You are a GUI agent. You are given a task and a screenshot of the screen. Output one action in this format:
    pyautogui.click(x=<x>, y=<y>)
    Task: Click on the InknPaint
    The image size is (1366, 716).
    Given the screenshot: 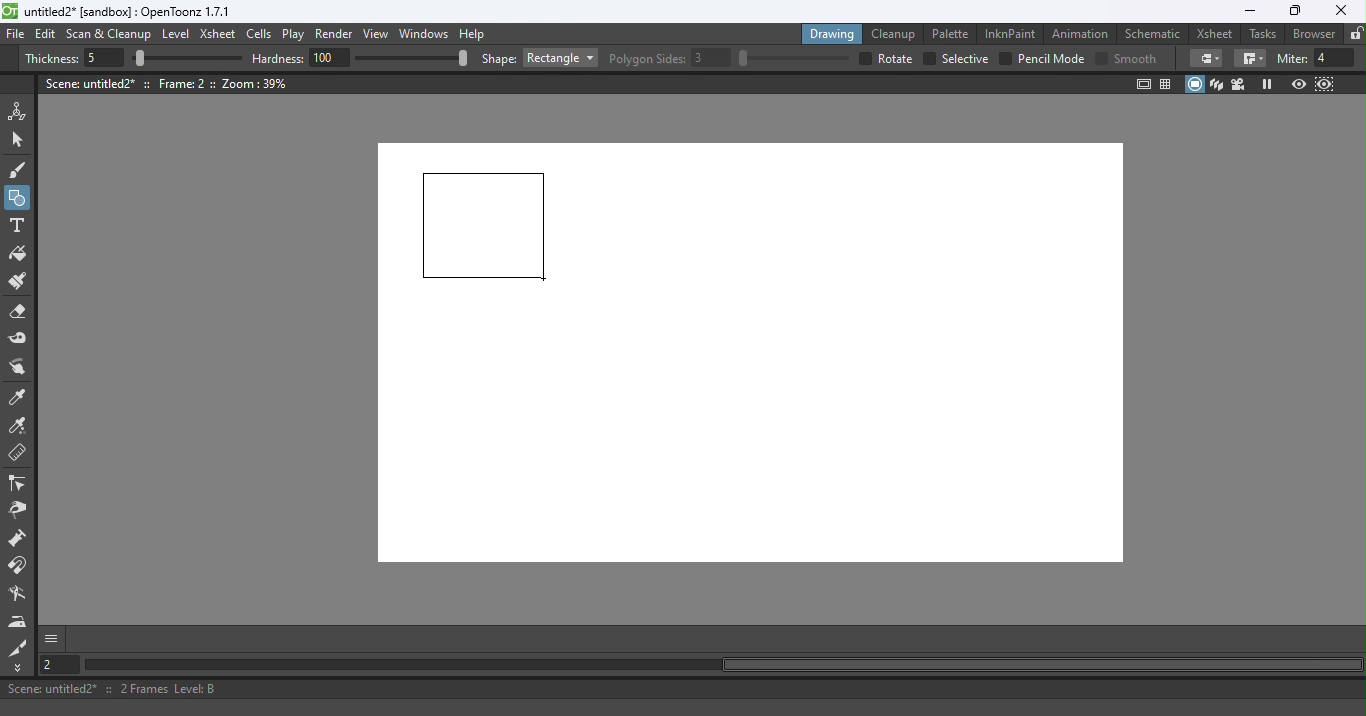 What is the action you would take?
    pyautogui.click(x=1011, y=32)
    